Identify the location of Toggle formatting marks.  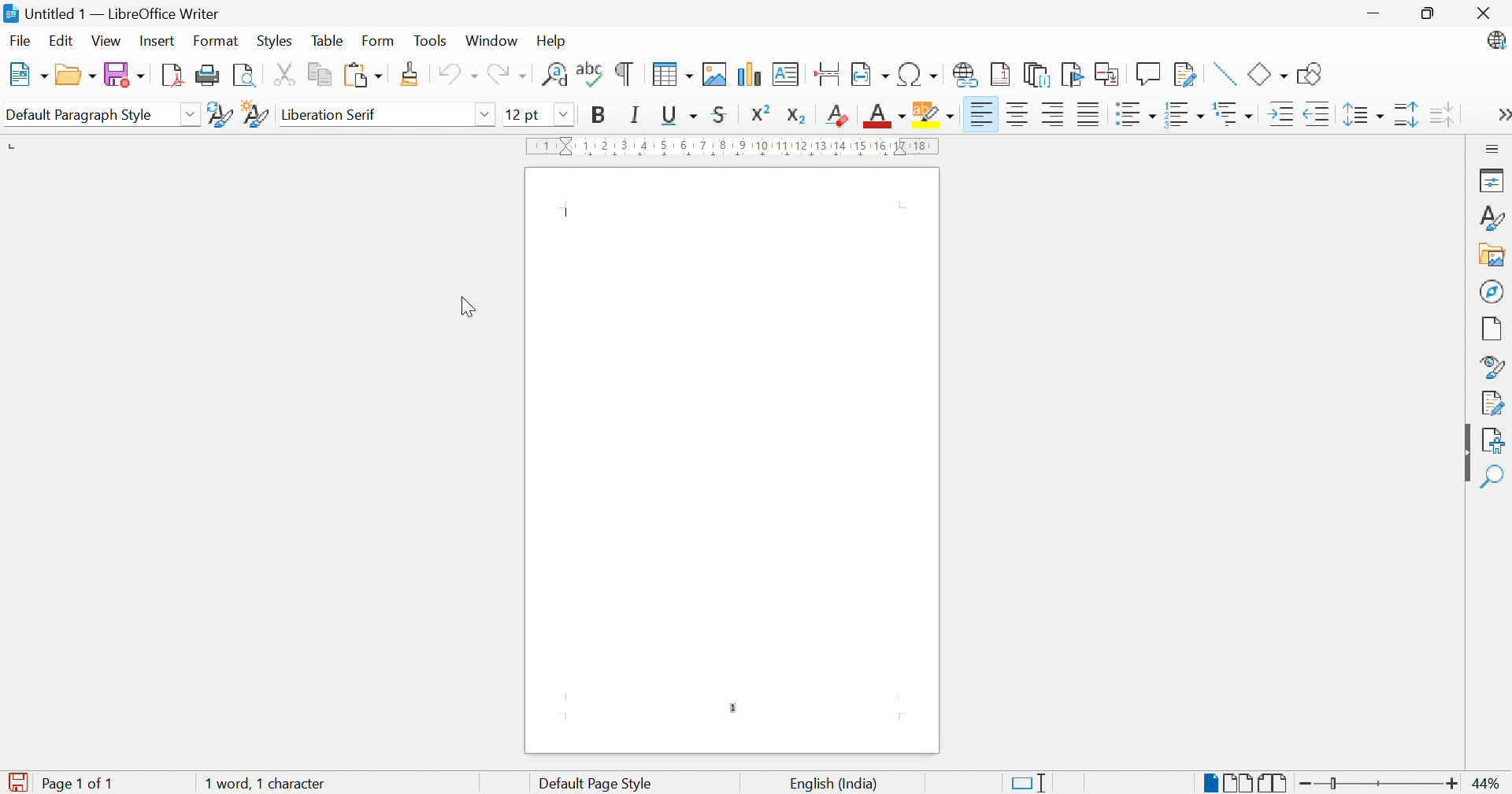
(624, 74).